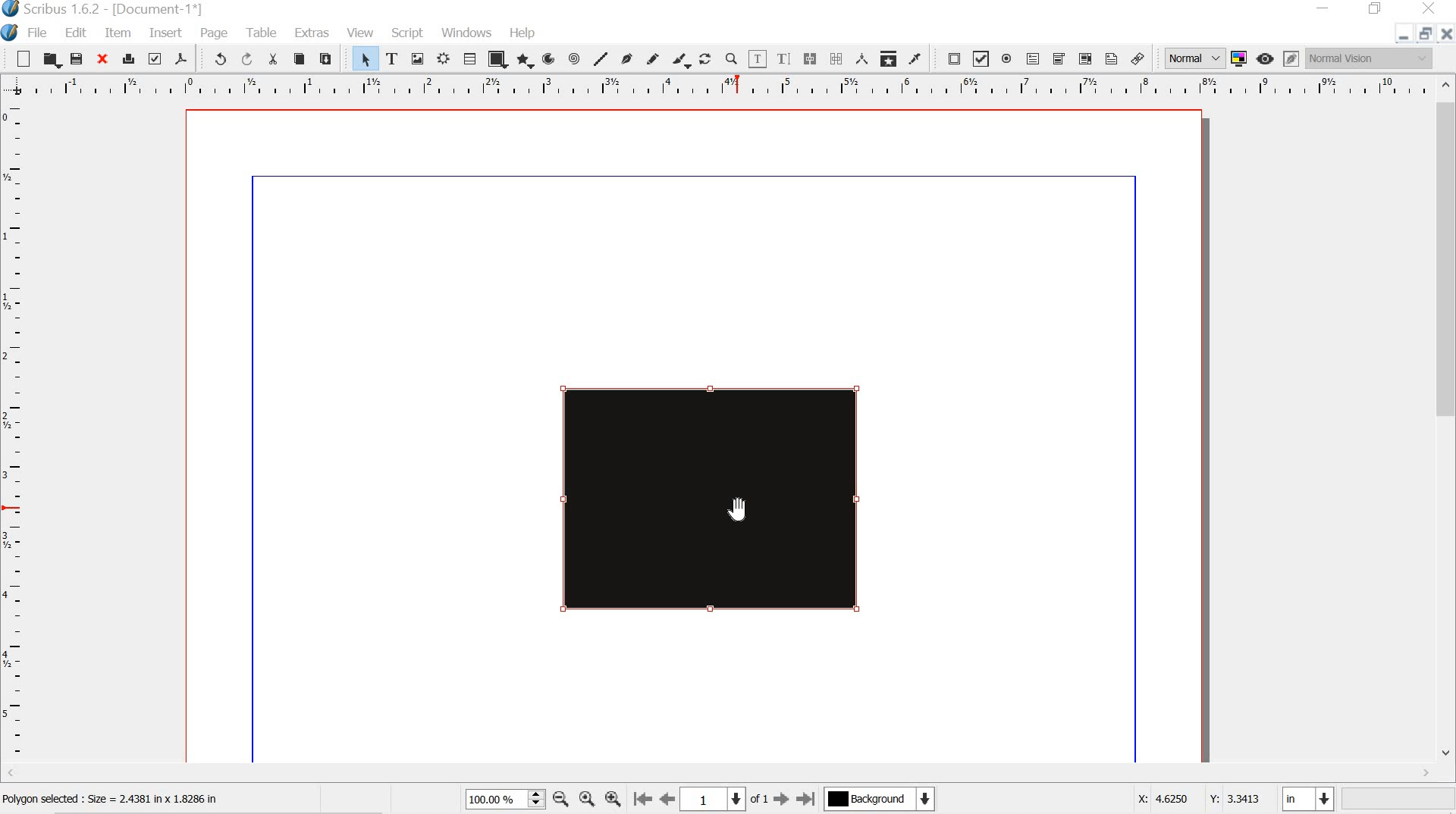 This screenshot has width=1456, height=814. I want to click on copy item properties, so click(888, 57).